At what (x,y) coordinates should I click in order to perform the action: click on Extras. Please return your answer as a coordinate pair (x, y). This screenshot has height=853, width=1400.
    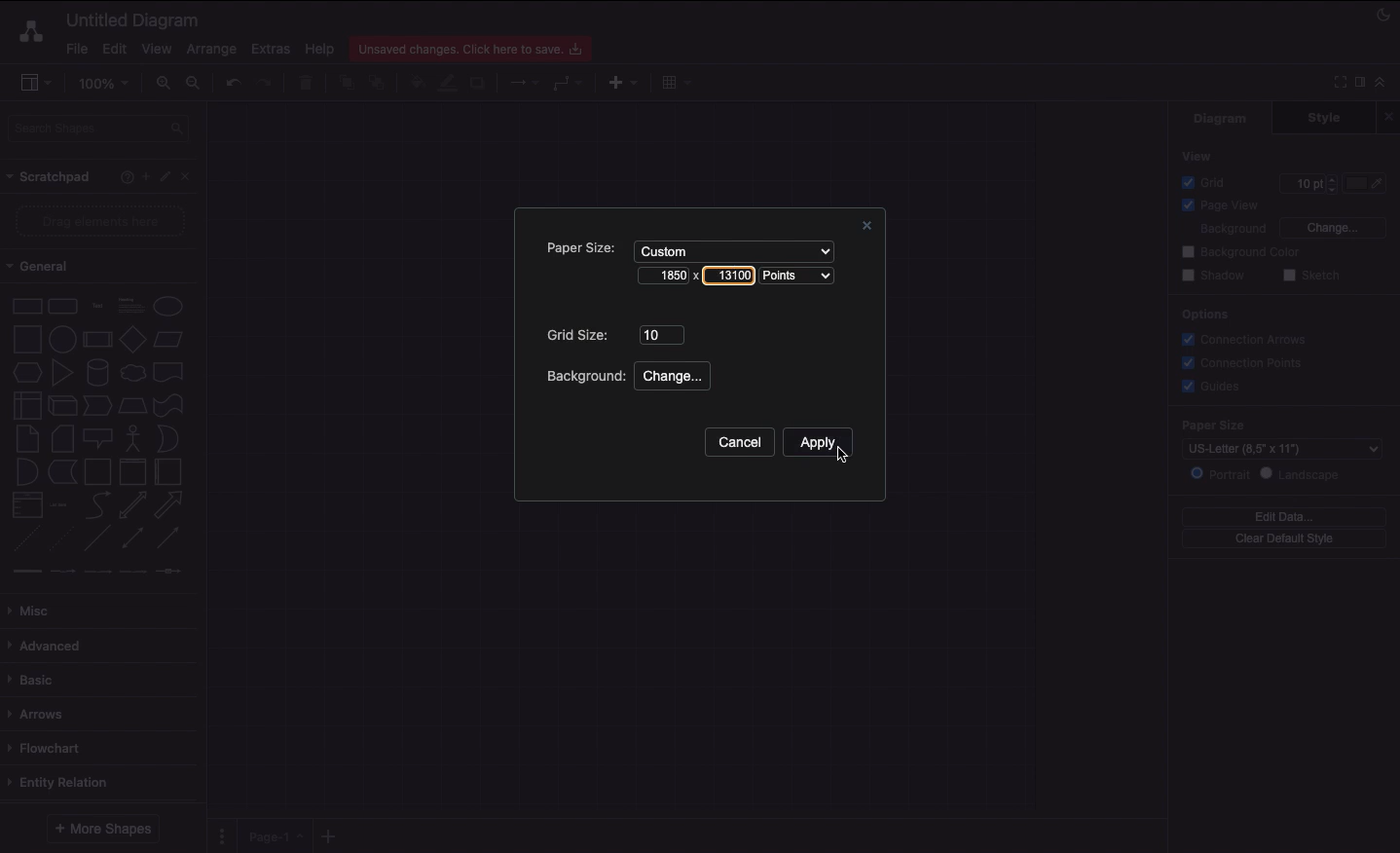
    Looking at the image, I should click on (271, 48).